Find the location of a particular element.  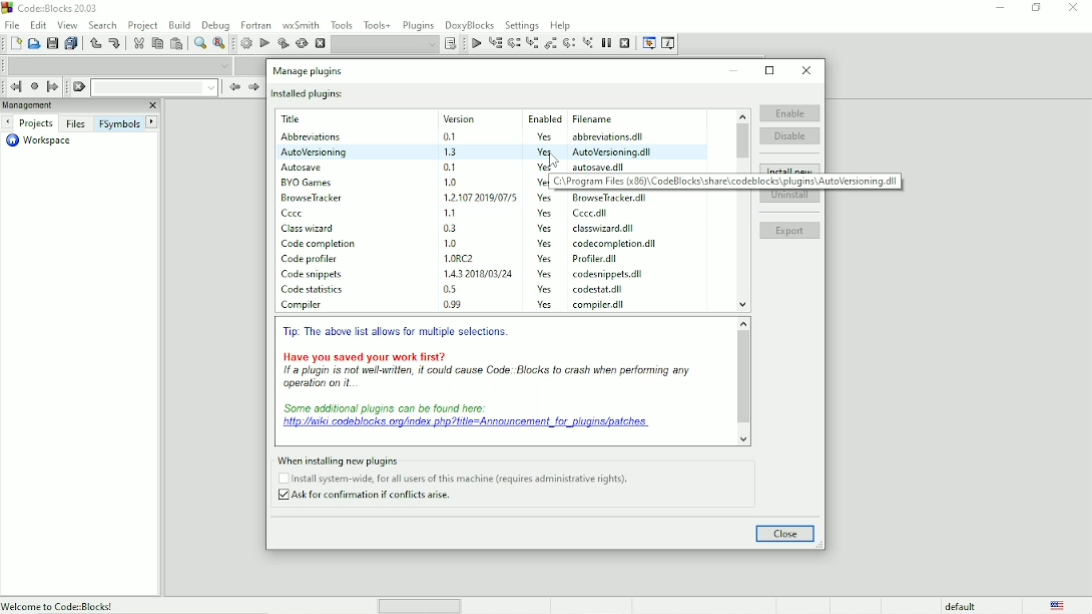

Code snippets is located at coordinates (313, 275).